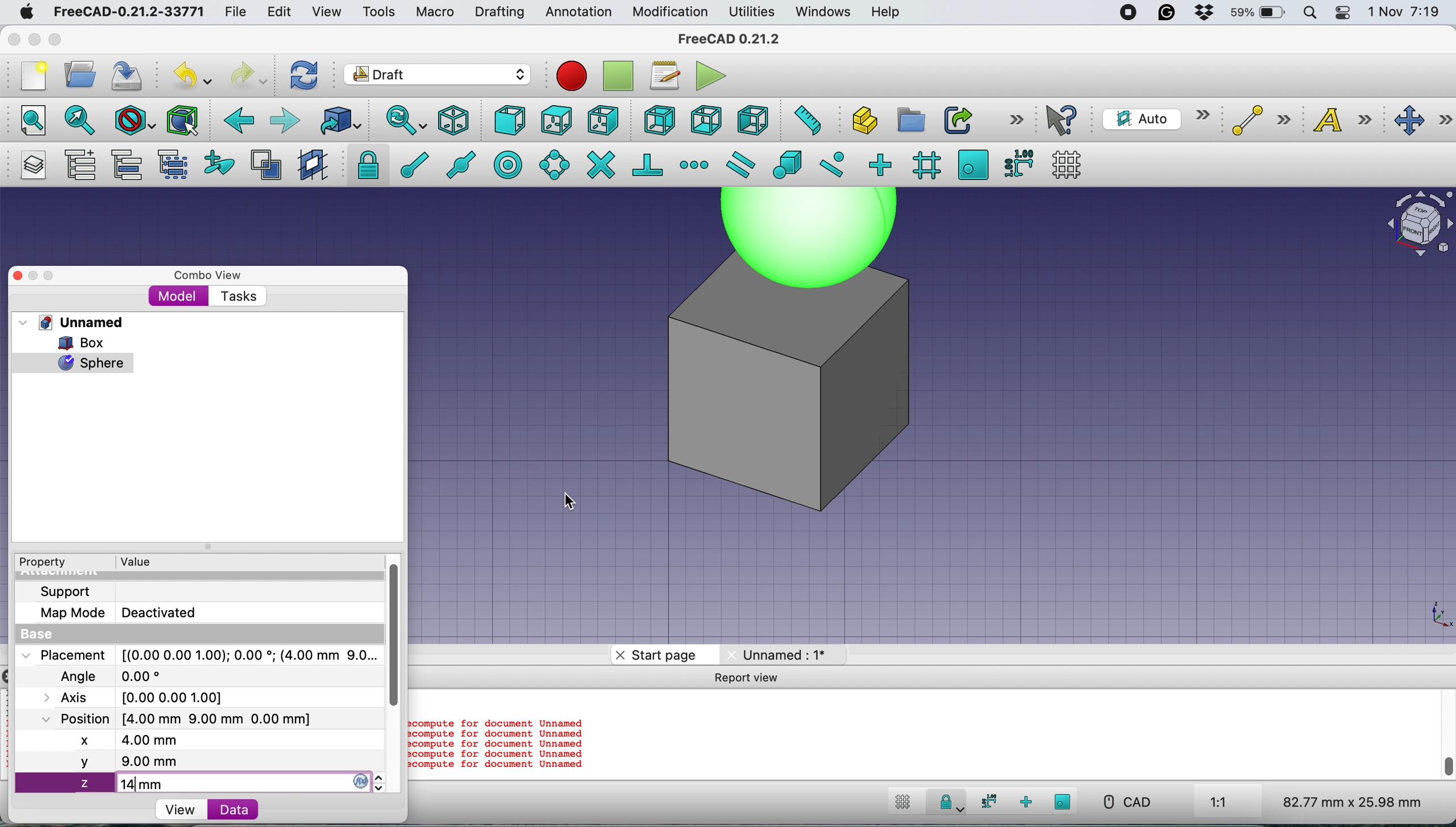 The width and height of the screenshot is (1456, 827). I want to click on create part, so click(861, 122).